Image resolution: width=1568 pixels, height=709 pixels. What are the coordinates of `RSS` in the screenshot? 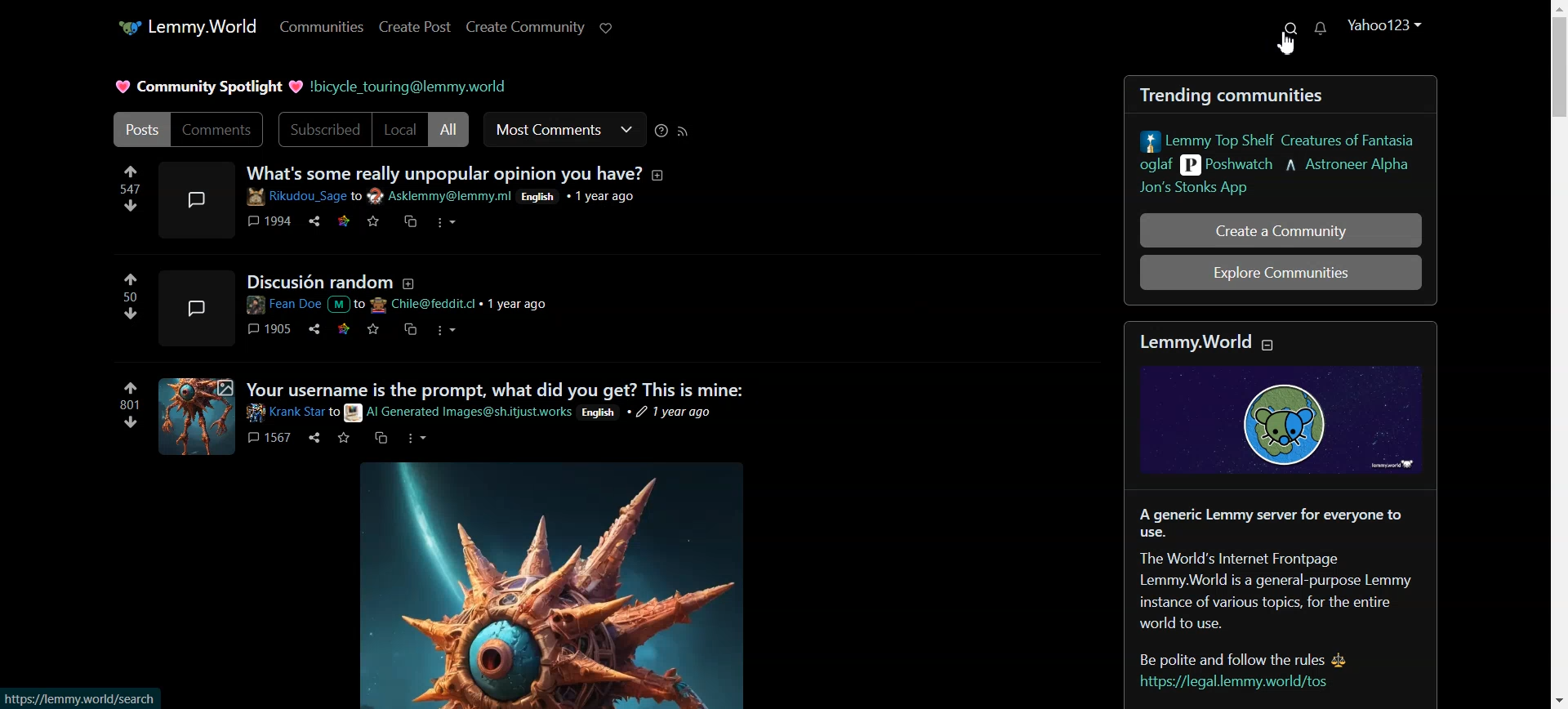 It's located at (682, 132).